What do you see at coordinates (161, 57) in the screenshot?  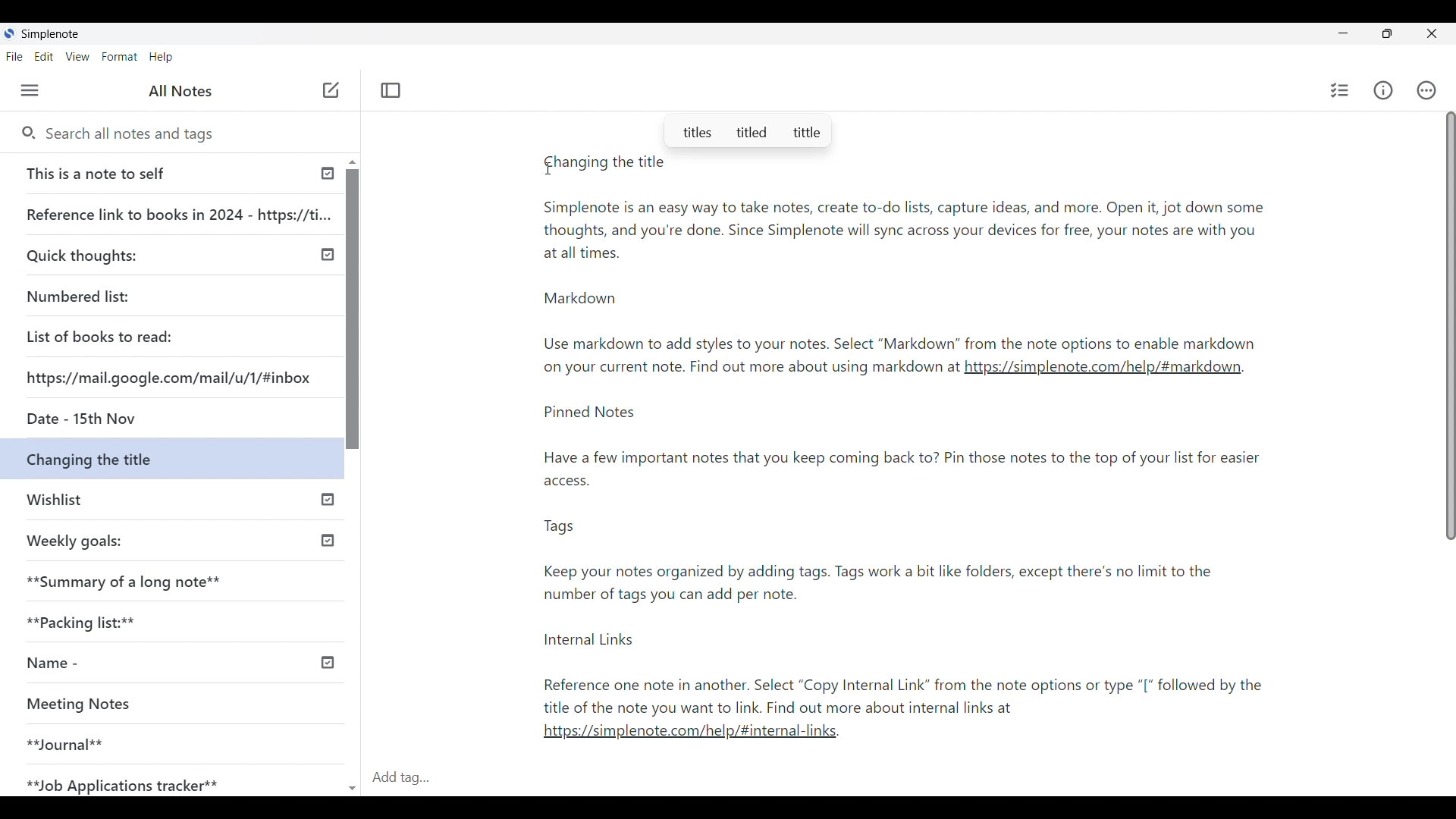 I see `Help menu` at bounding box center [161, 57].